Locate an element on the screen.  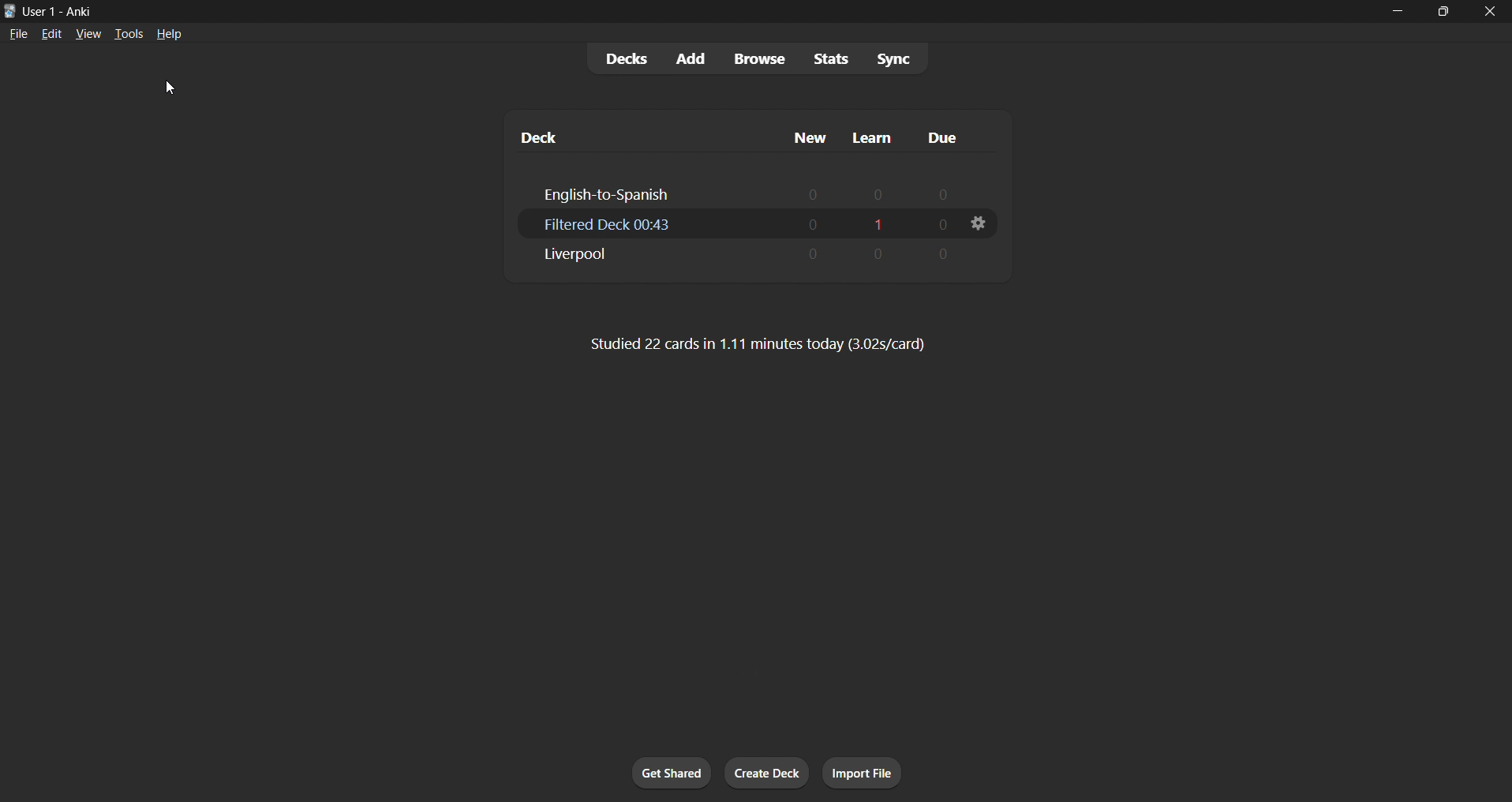
0 is located at coordinates (810, 191).